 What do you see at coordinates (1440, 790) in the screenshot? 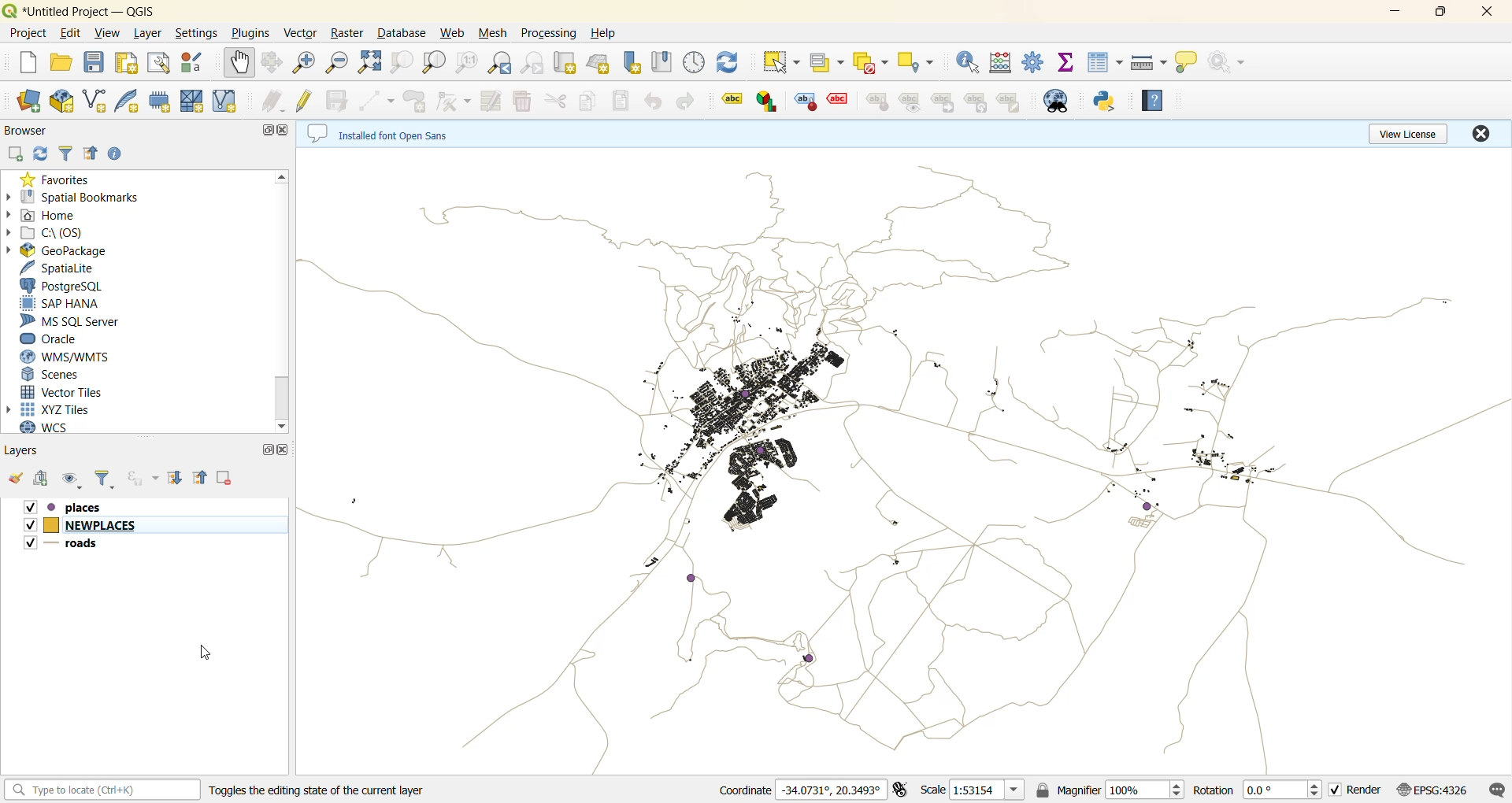
I see `crs` at bounding box center [1440, 790].